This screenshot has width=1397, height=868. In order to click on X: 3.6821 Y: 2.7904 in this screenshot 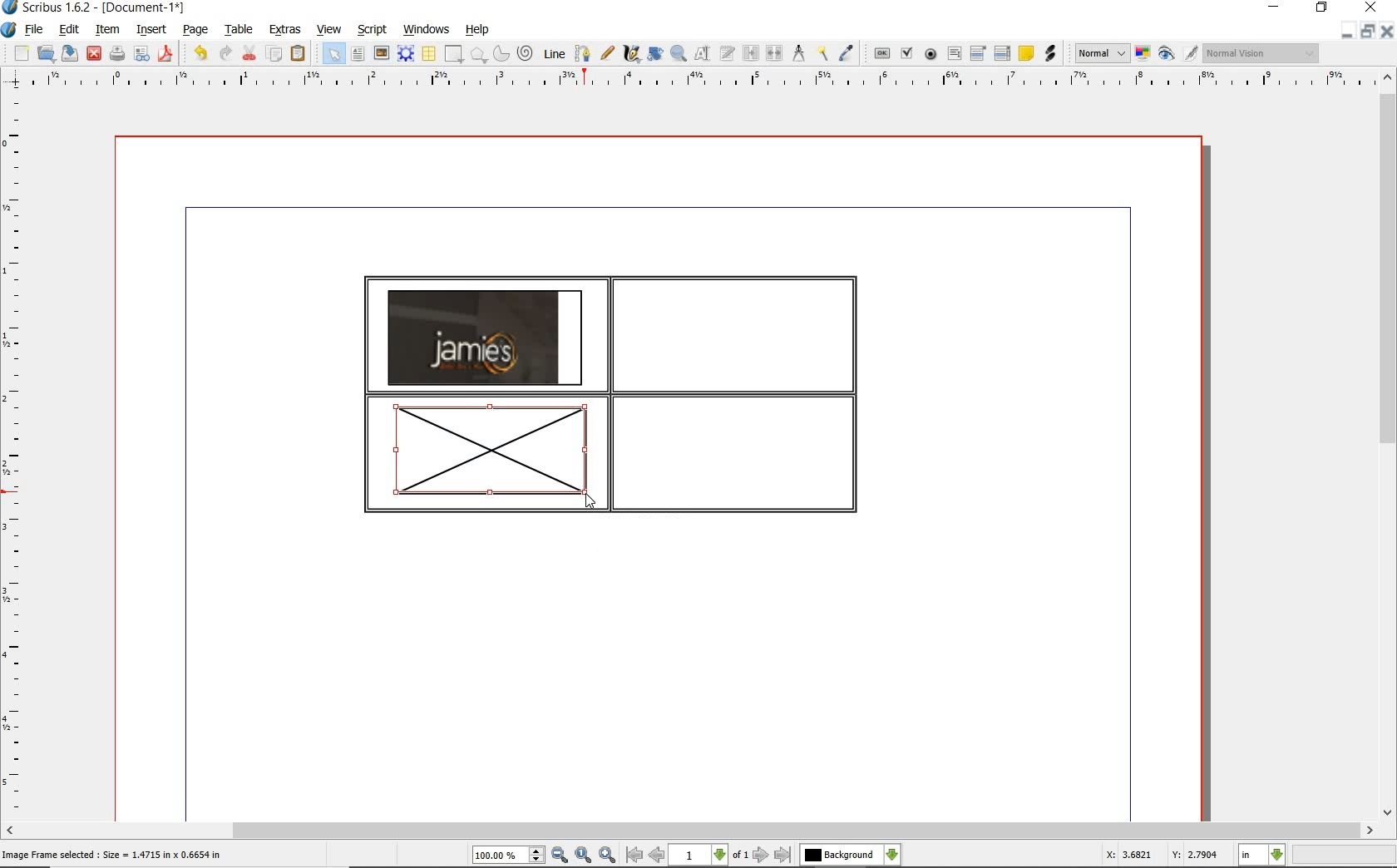, I will do `click(1161, 856)`.